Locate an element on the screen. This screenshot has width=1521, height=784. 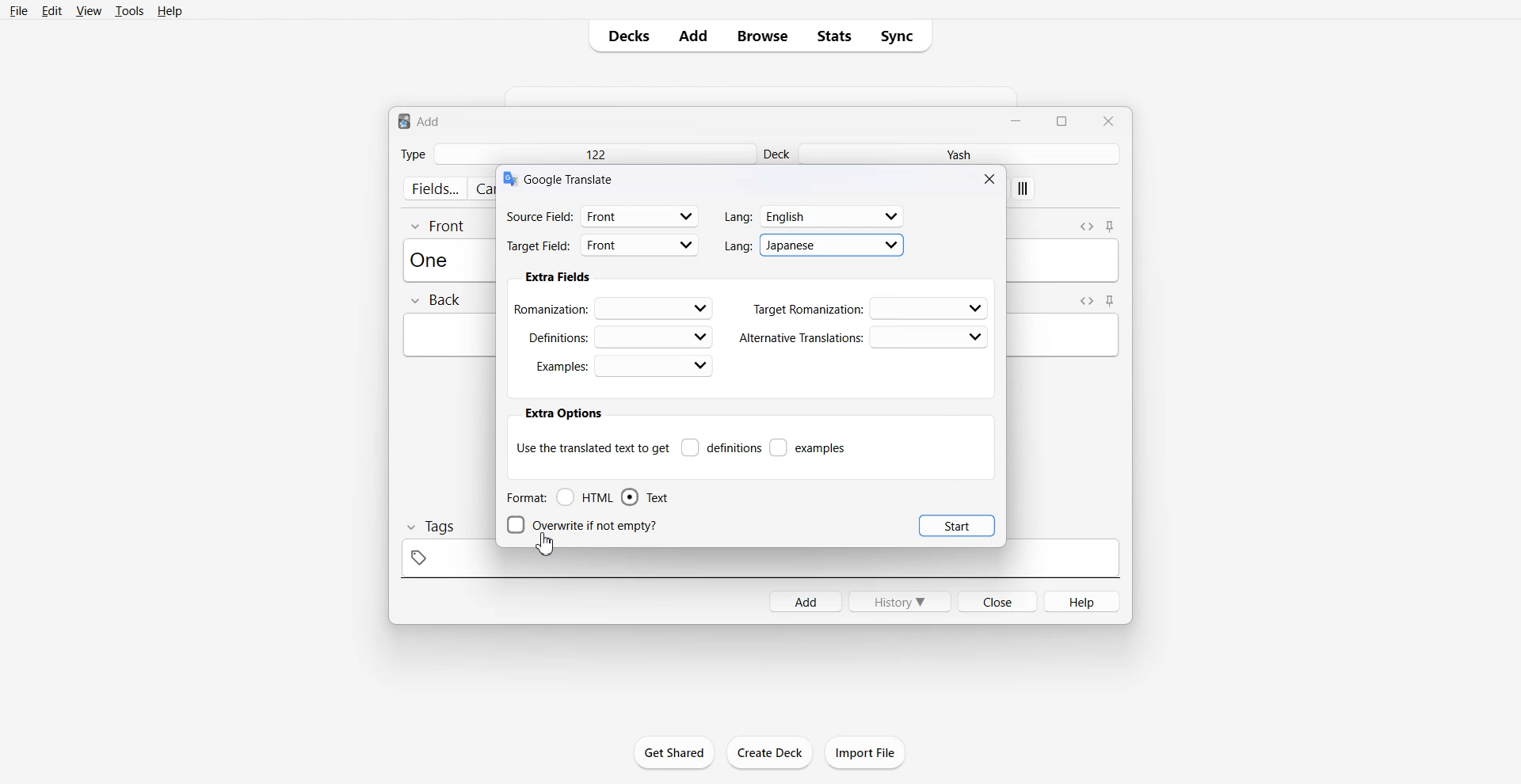
Add is located at coordinates (805, 601).